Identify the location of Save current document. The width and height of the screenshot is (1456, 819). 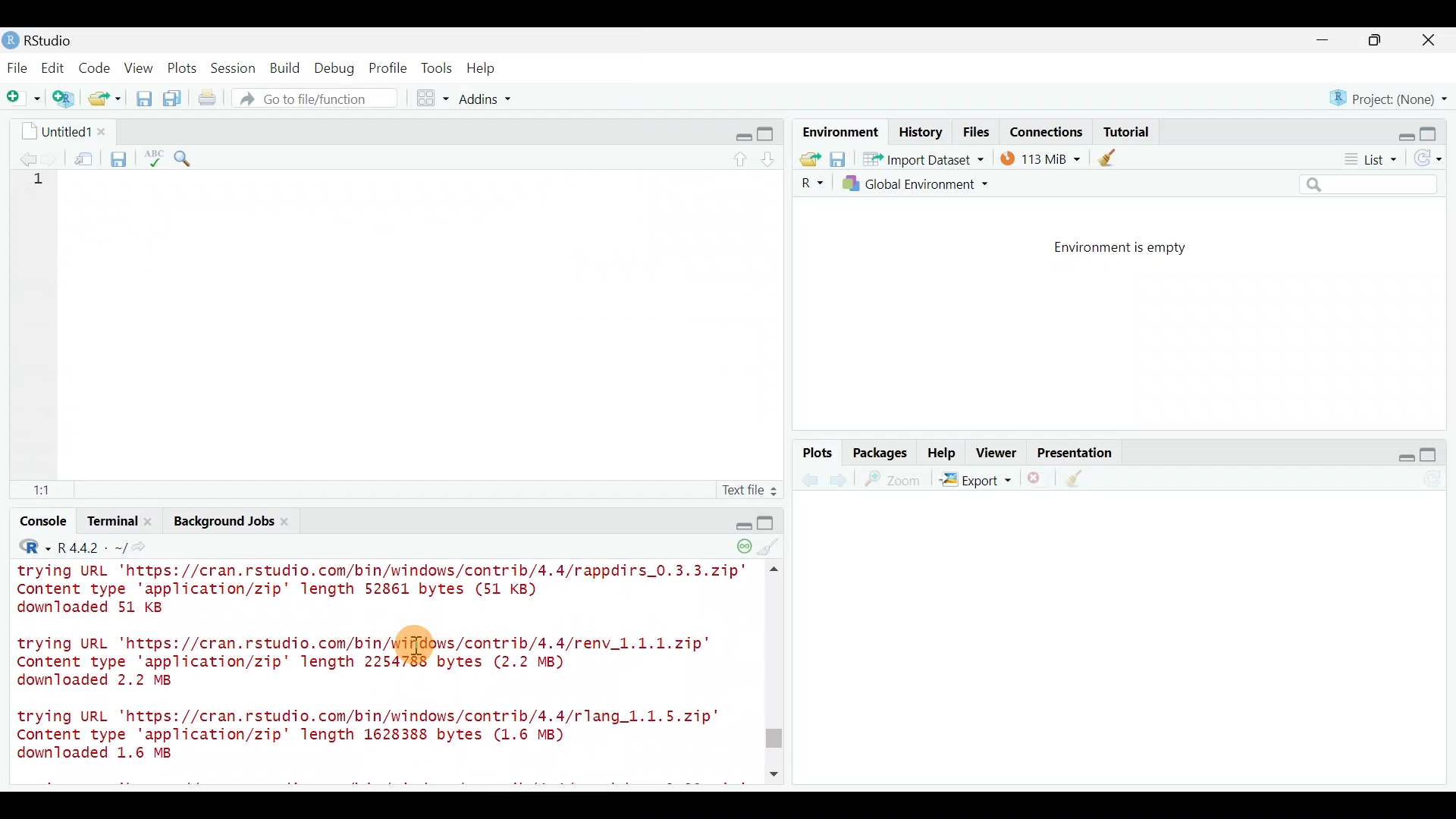
(144, 99).